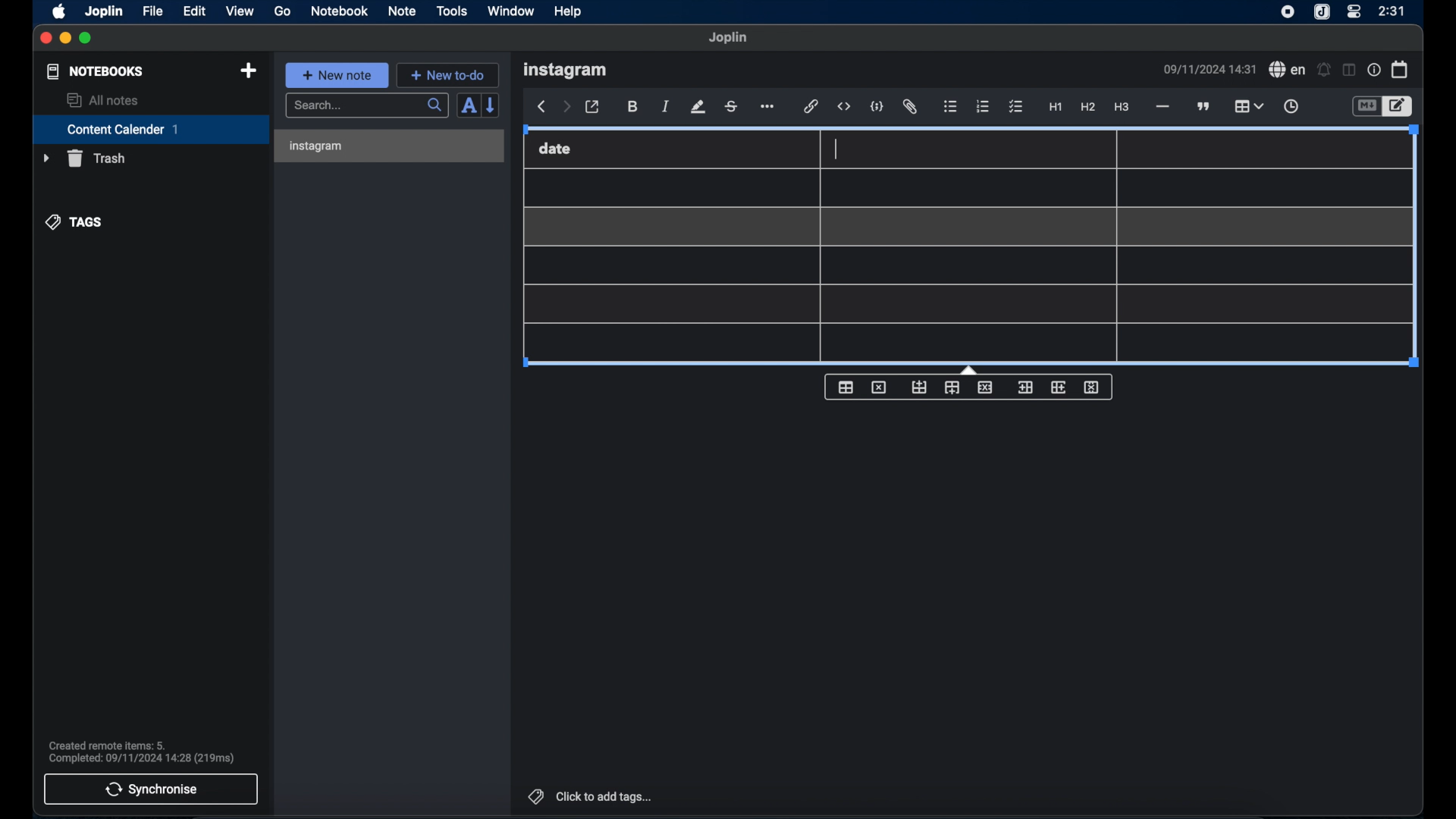 The image size is (1456, 819). What do you see at coordinates (511, 11) in the screenshot?
I see `window` at bounding box center [511, 11].